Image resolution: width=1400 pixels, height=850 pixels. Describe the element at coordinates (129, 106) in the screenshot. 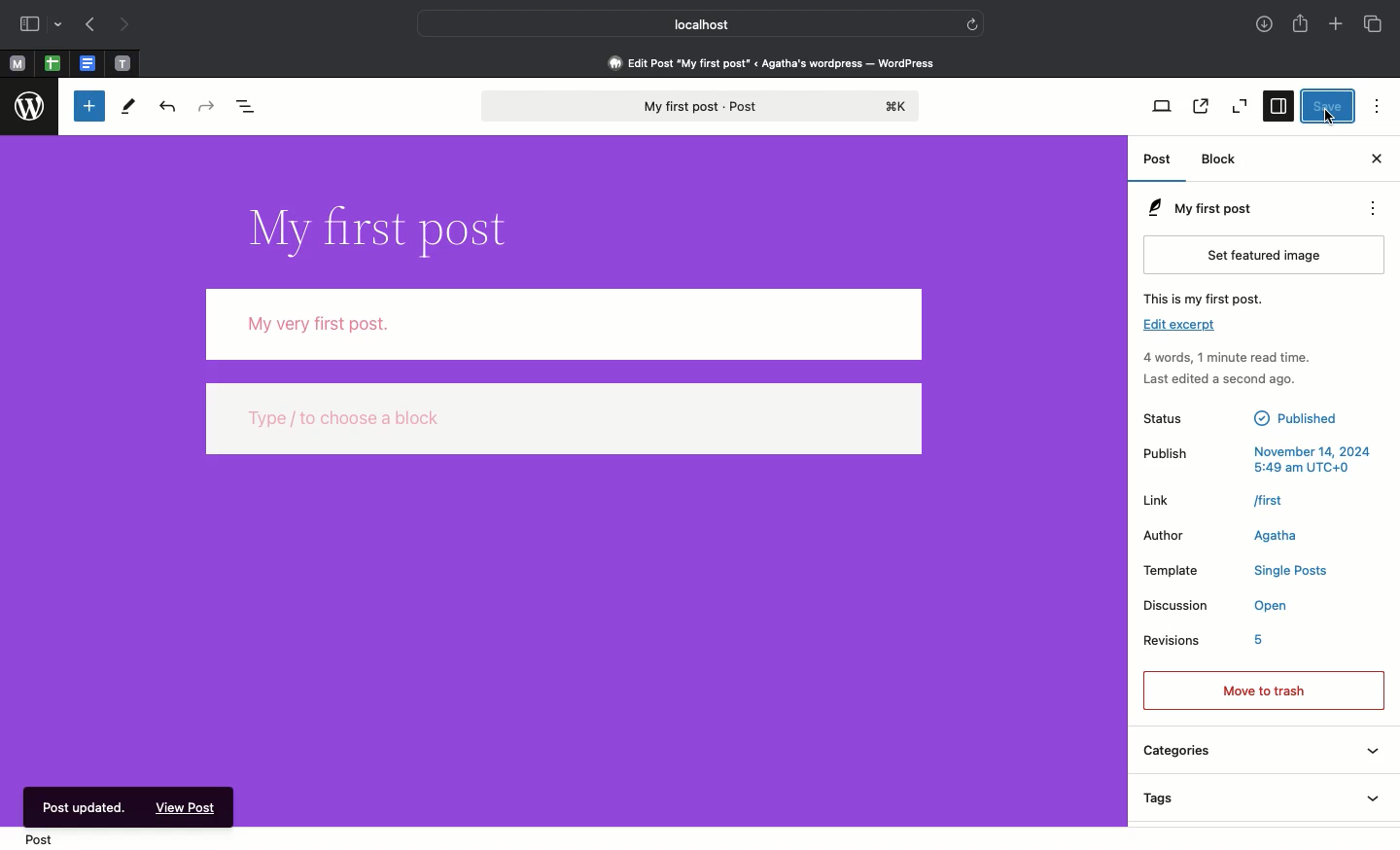

I see `Tools` at that location.